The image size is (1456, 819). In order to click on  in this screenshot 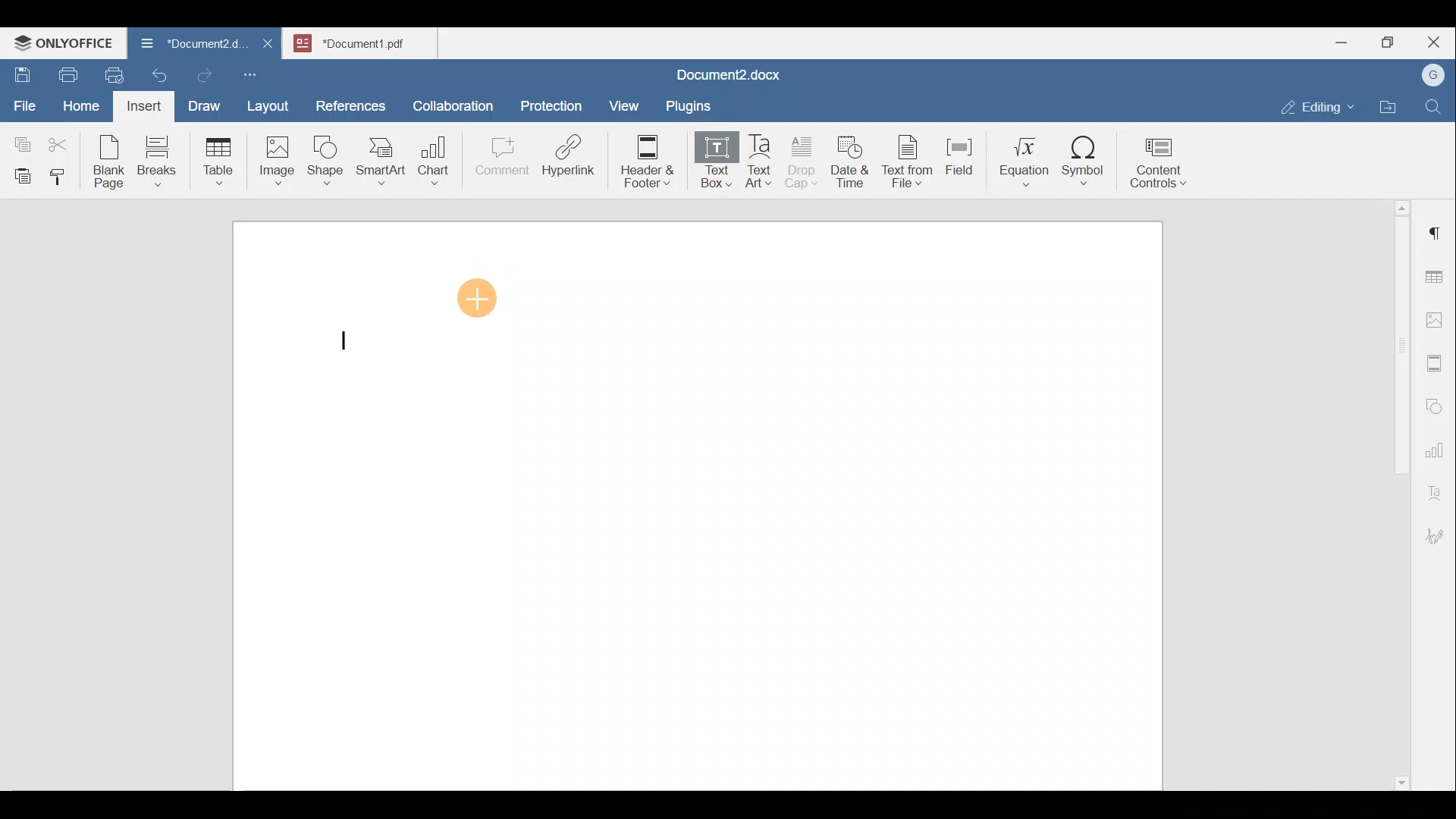, I will do `click(729, 74)`.